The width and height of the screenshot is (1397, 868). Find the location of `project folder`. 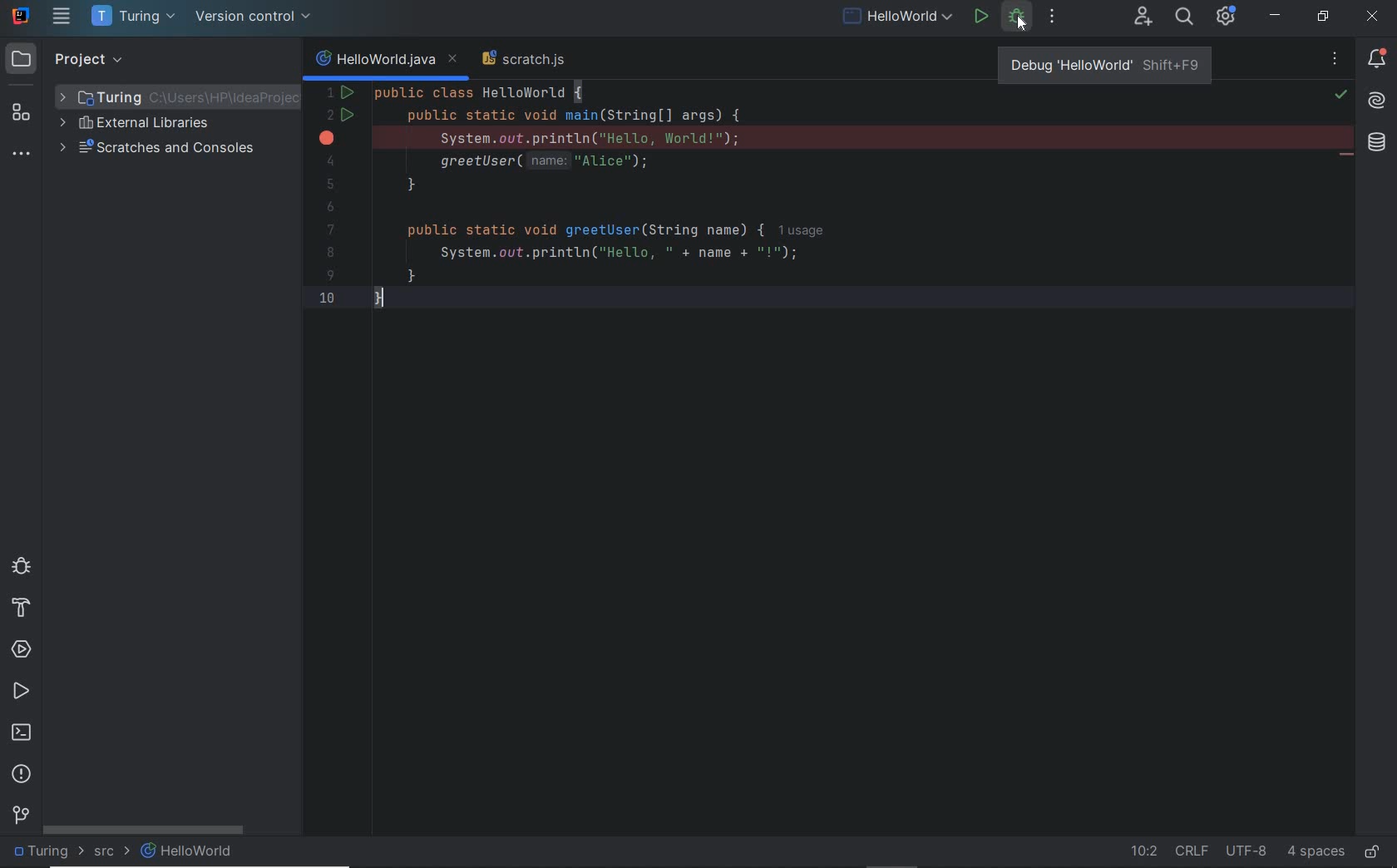

project folder is located at coordinates (176, 95).